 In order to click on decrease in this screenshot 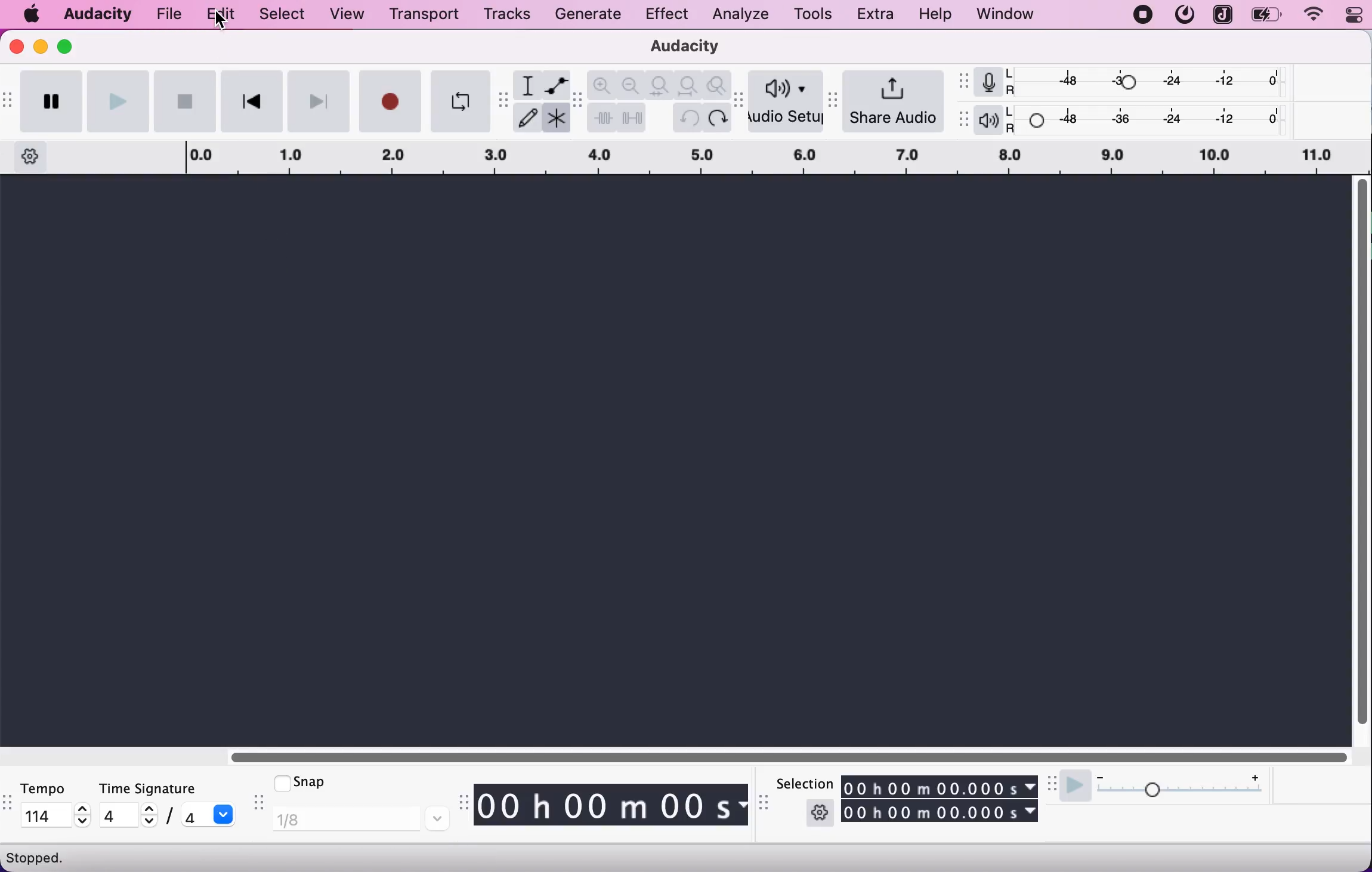, I will do `click(83, 822)`.